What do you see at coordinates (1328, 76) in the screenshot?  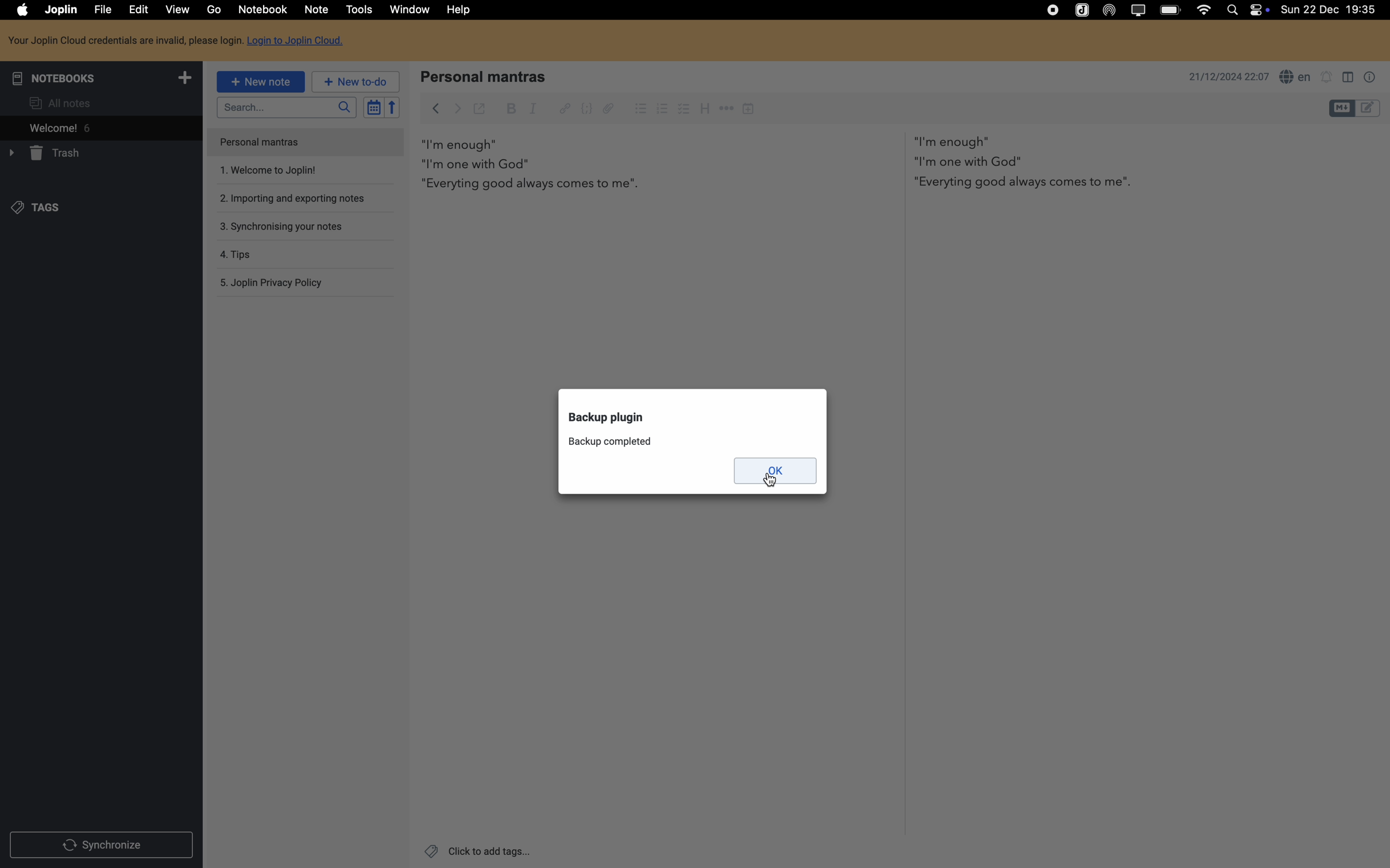 I see `set notifications` at bounding box center [1328, 76].